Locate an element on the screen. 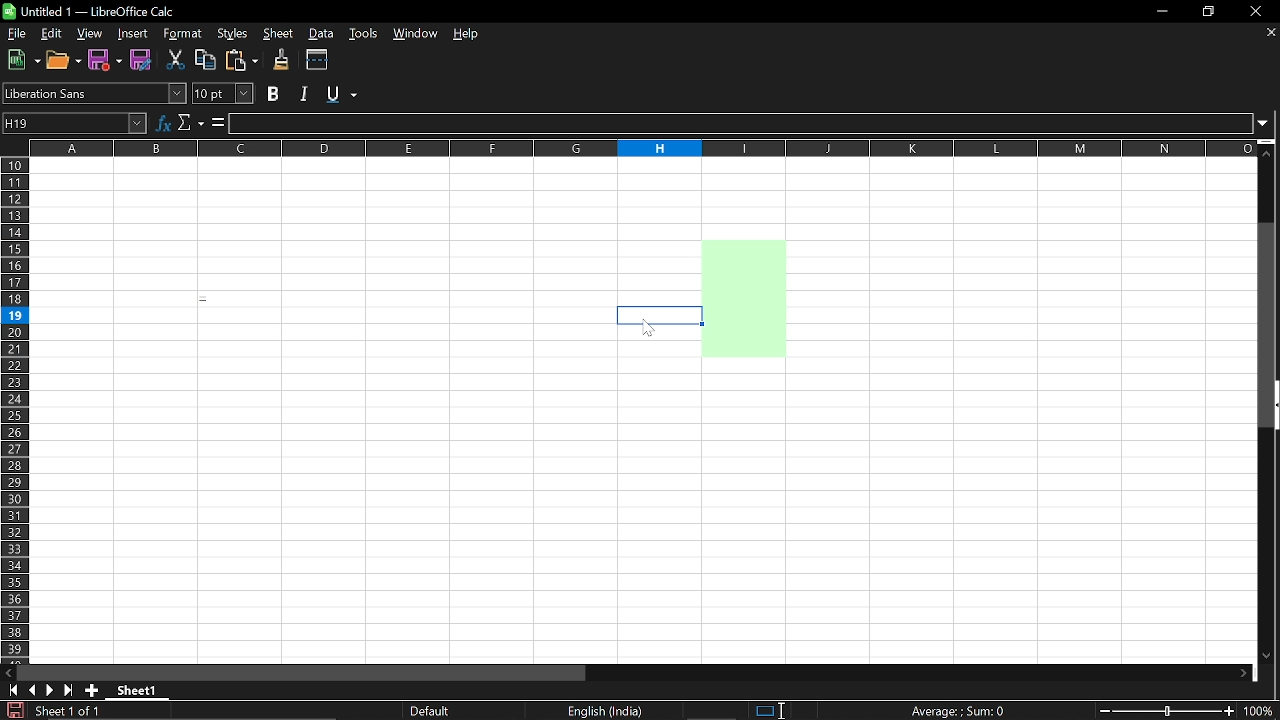  Clone is located at coordinates (283, 60).